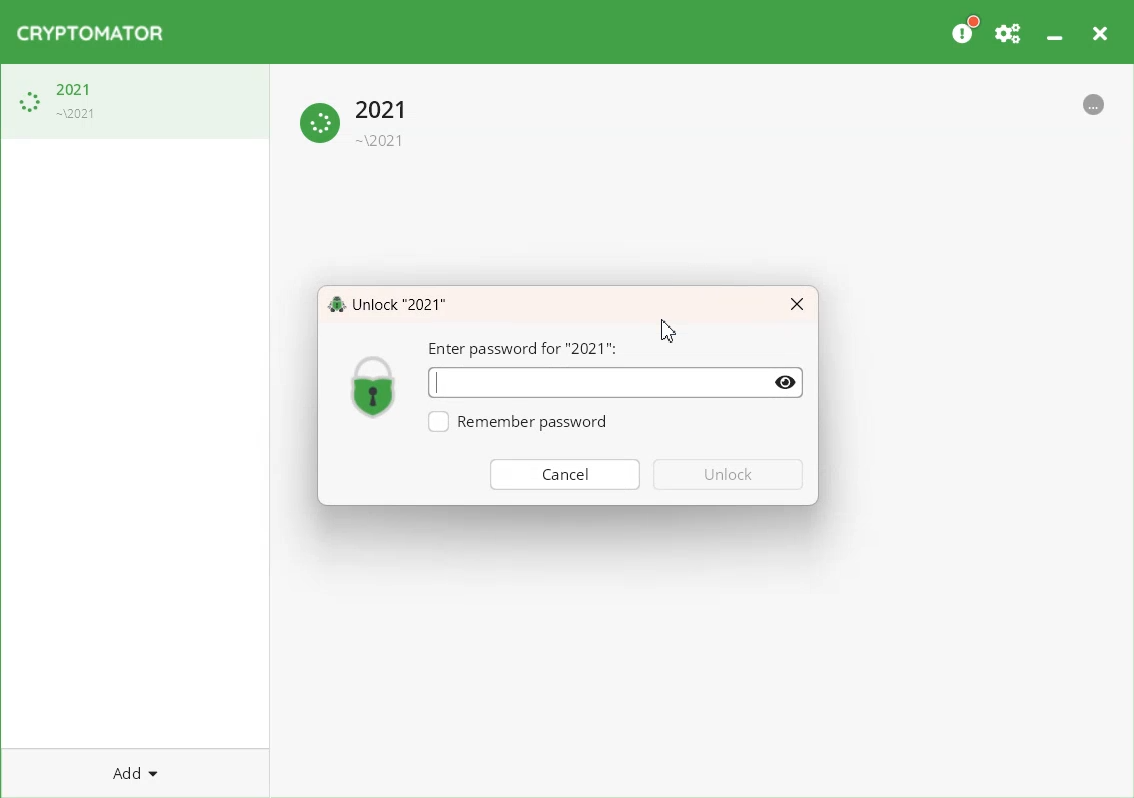 The width and height of the screenshot is (1134, 798). What do you see at coordinates (135, 101) in the screenshot?
I see `Loading Vault` at bounding box center [135, 101].